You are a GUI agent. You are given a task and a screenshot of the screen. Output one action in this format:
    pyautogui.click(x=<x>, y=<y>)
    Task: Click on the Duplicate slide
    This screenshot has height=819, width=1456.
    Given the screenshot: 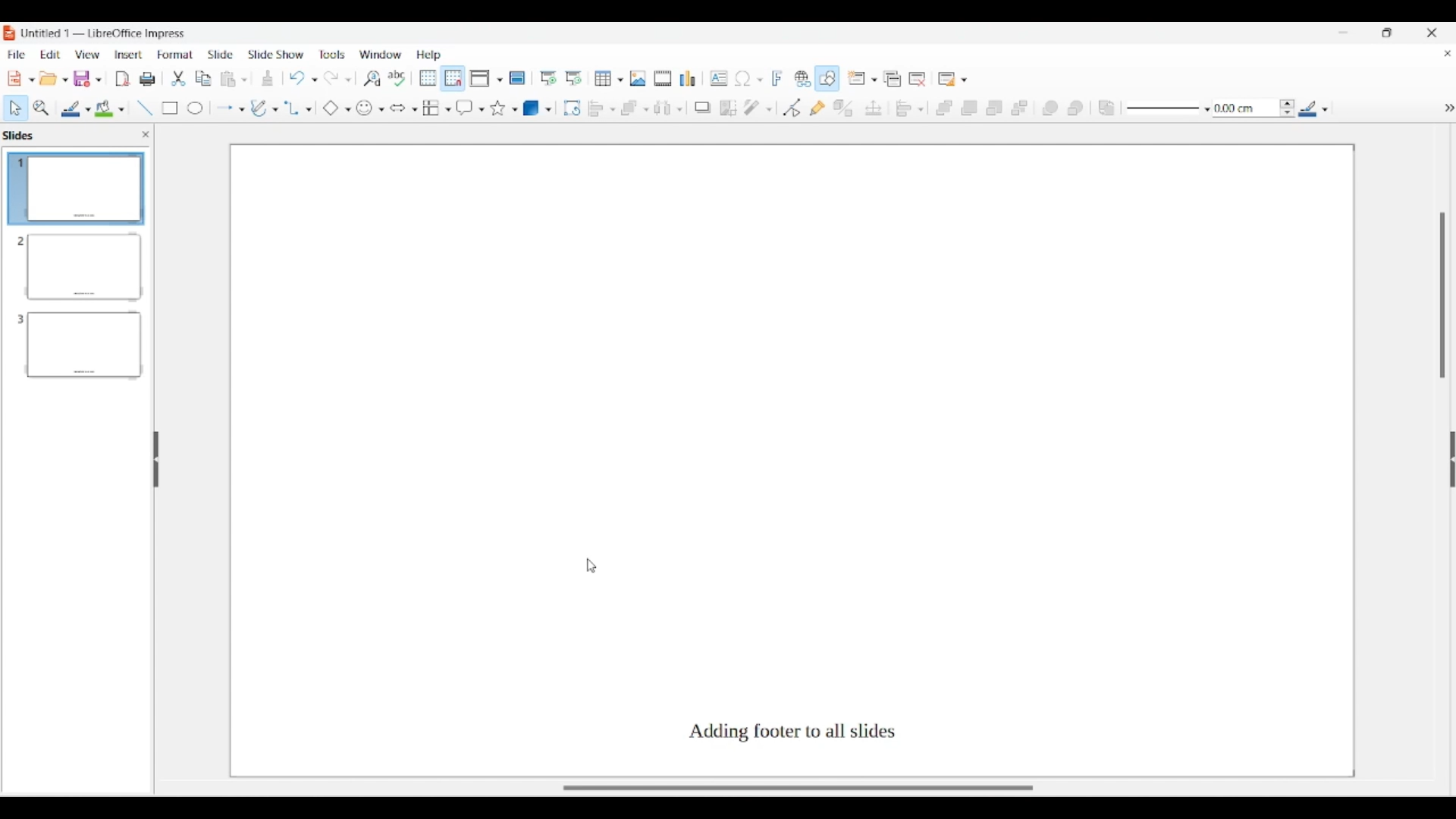 What is the action you would take?
    pyautogui.click(x=893, y=79)
    